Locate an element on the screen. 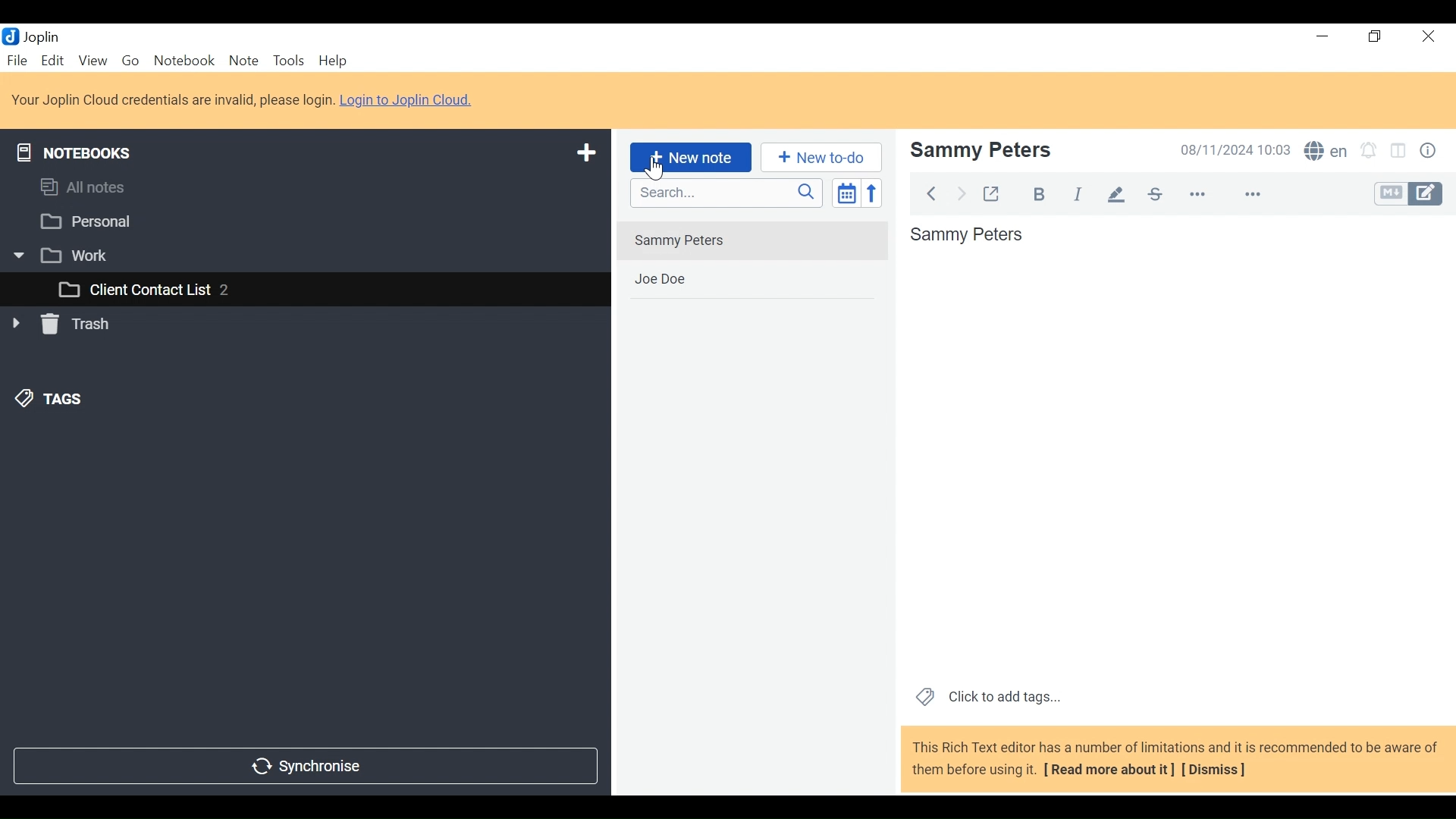  Toggle Editor is located at coordinates (1409, 193).